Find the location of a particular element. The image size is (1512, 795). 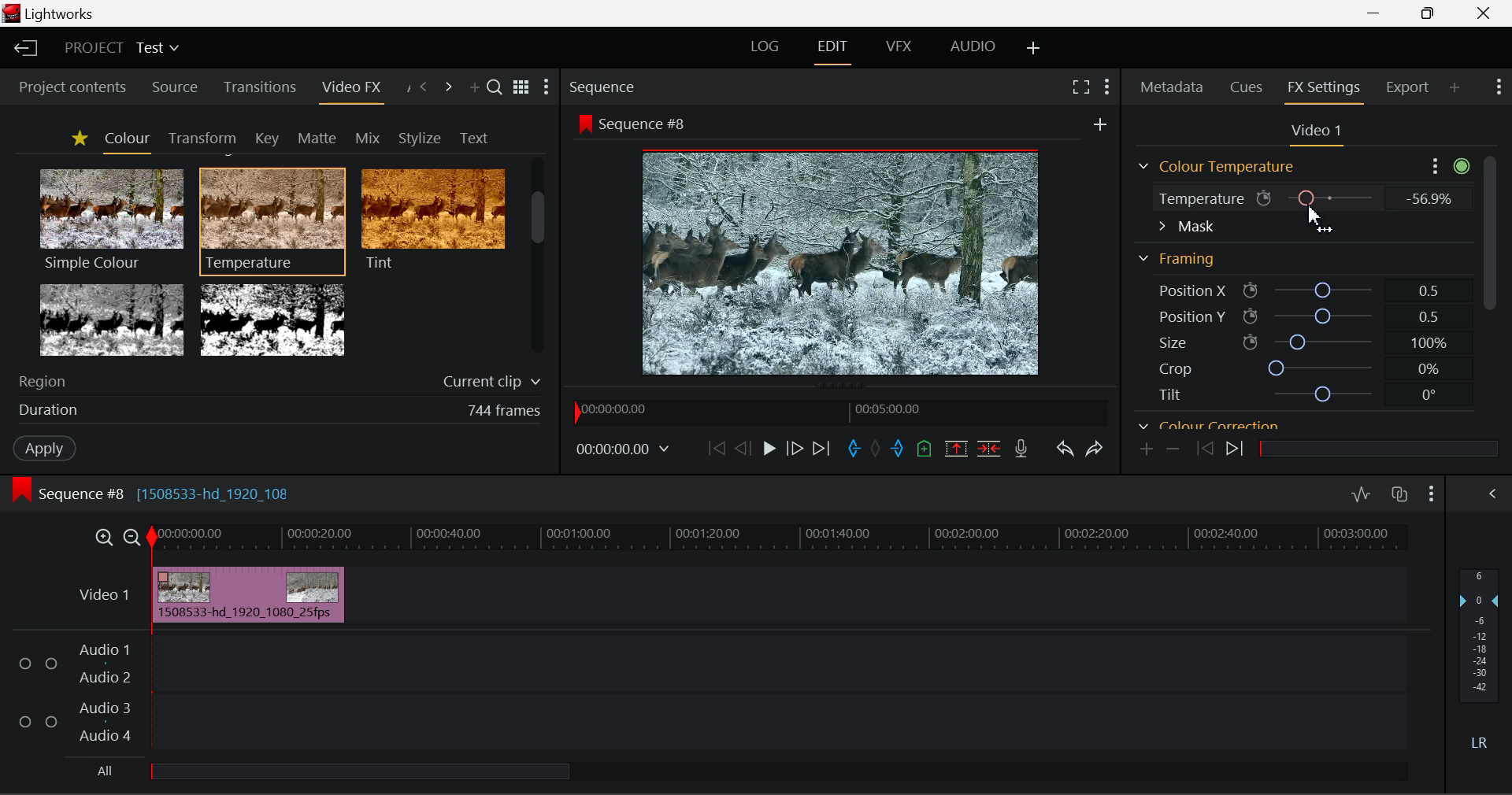

Position X is located at coordinates (1322, 291).